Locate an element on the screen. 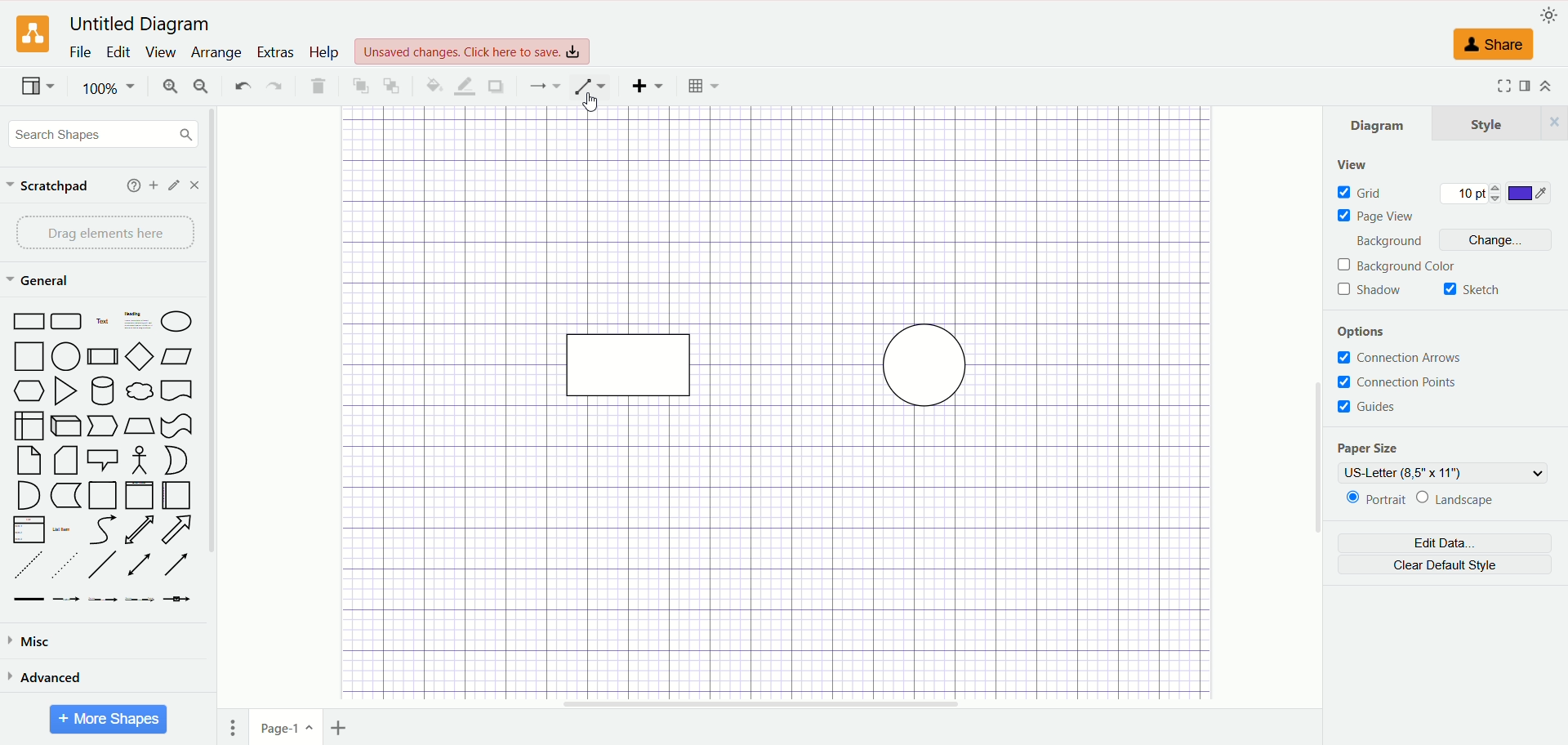  Diamond is located at coordinates (140, 358).